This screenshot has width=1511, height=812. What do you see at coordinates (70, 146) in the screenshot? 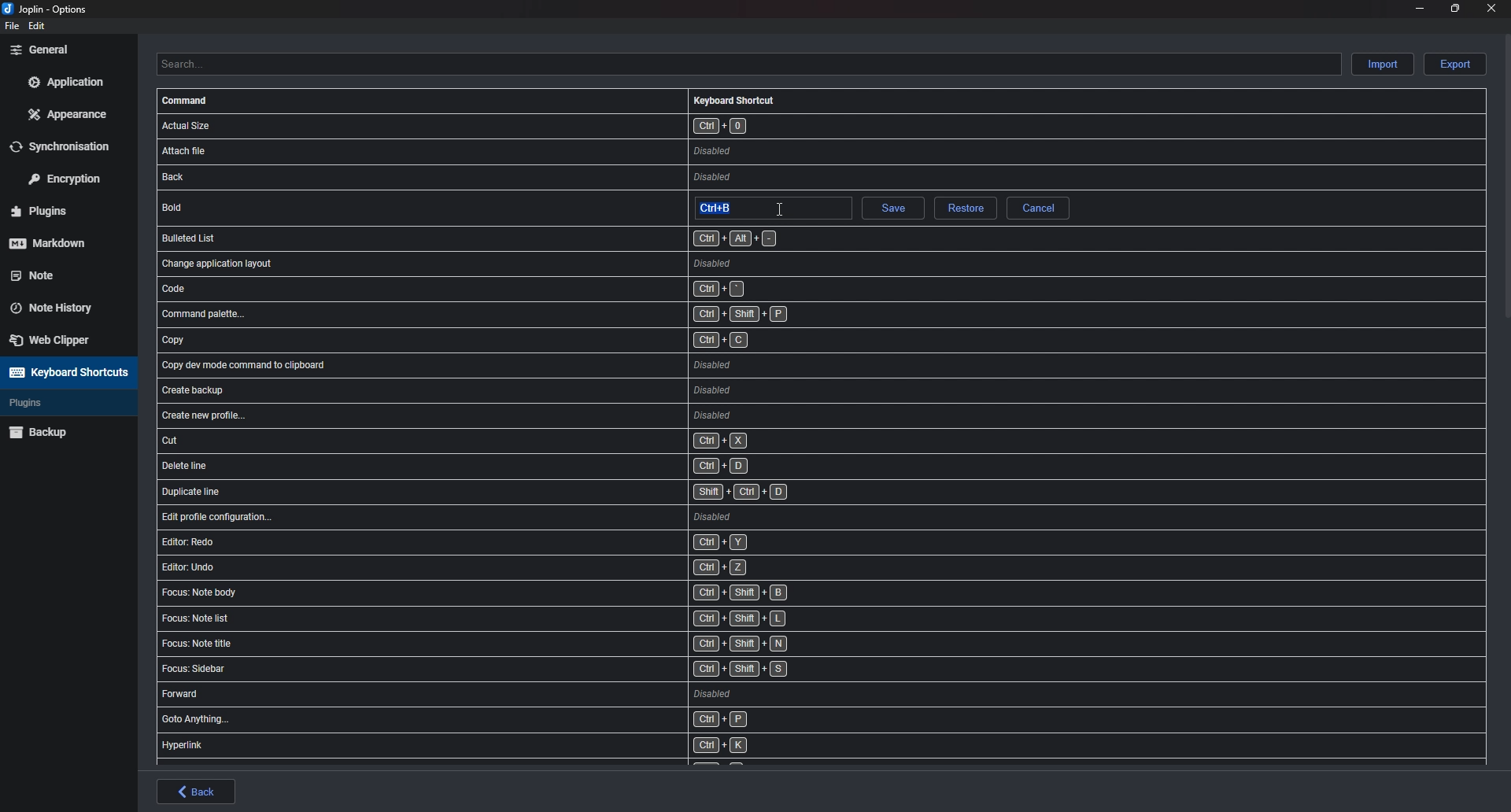
I see `Synchronization` at bounding box center [70, 146].